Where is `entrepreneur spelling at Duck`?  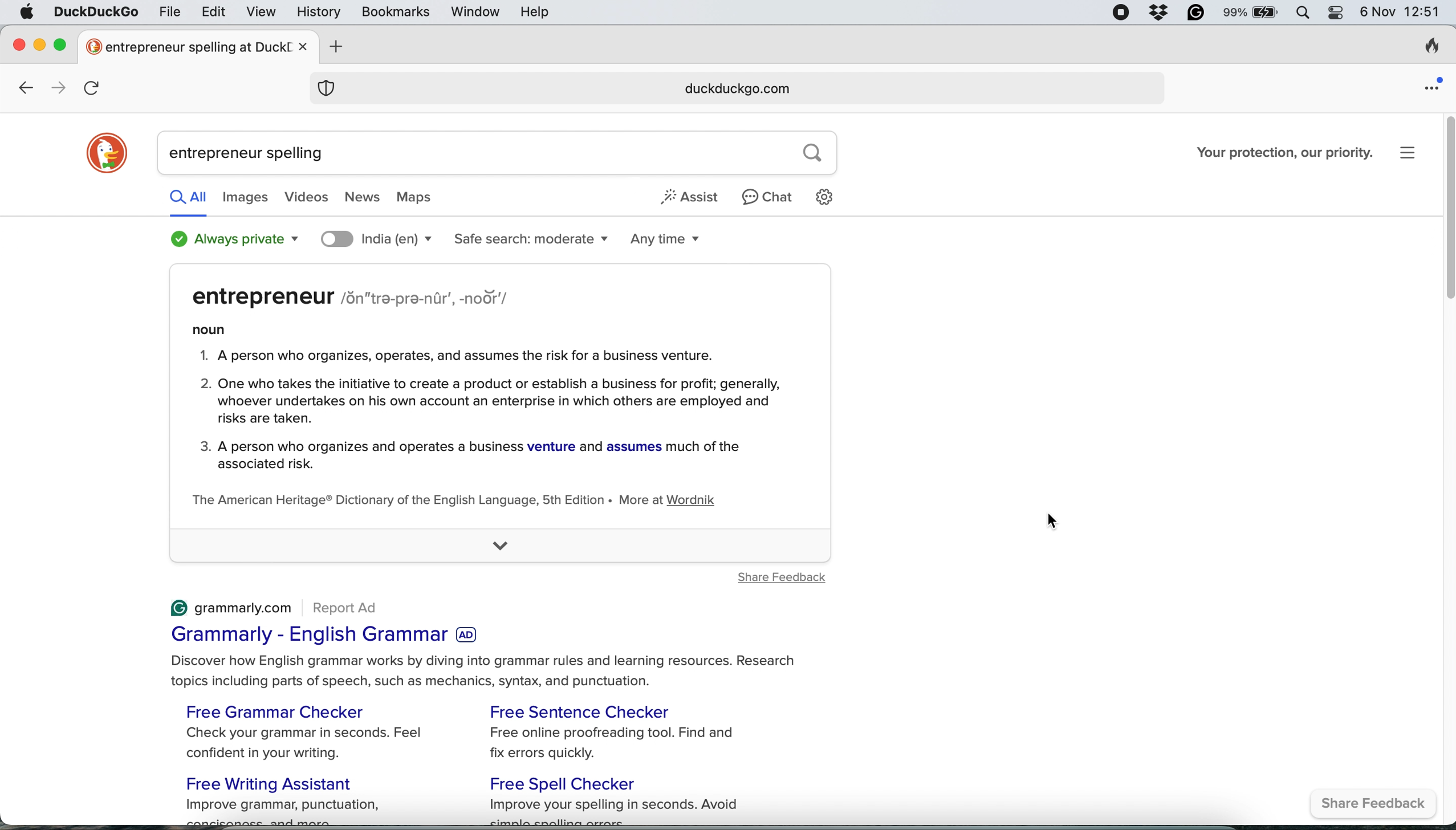
entrepreneur spelling at Duck is located at coordinates (198, 44).